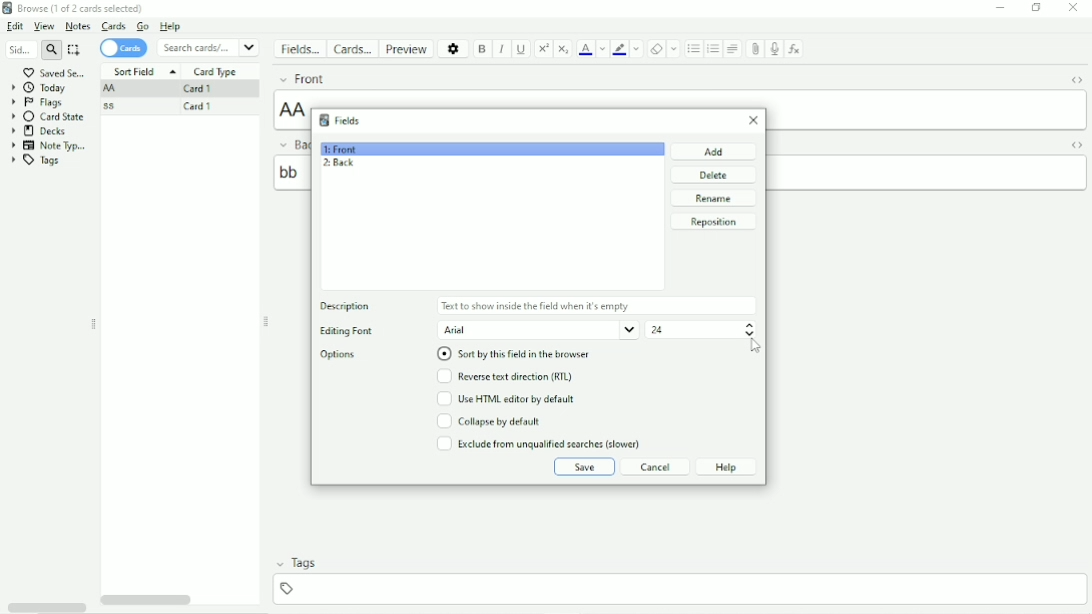  What do you see at coordinates (405, 48) in the screenshot?
I see `Preview` at bounding box center [405, 48].